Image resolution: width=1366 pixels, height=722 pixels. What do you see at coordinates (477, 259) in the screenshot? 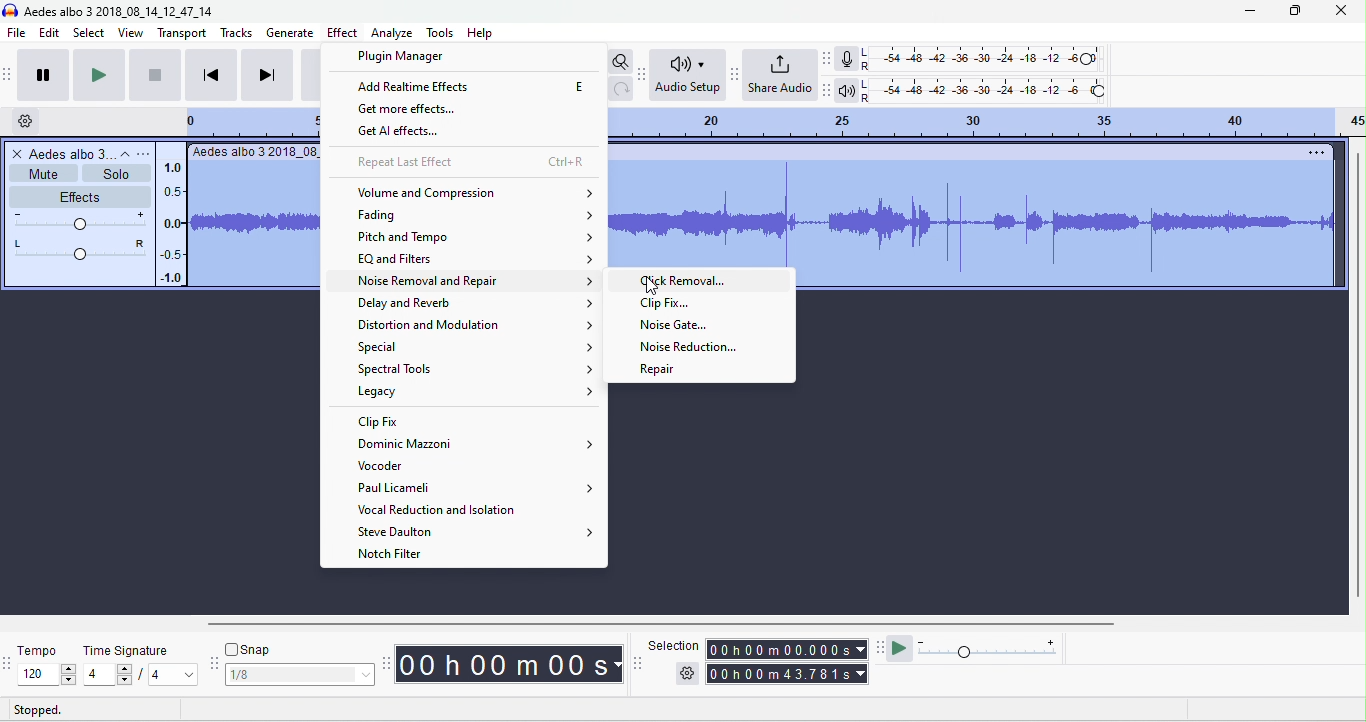
I see `EQ and filters` at bounding box center [477, 259].